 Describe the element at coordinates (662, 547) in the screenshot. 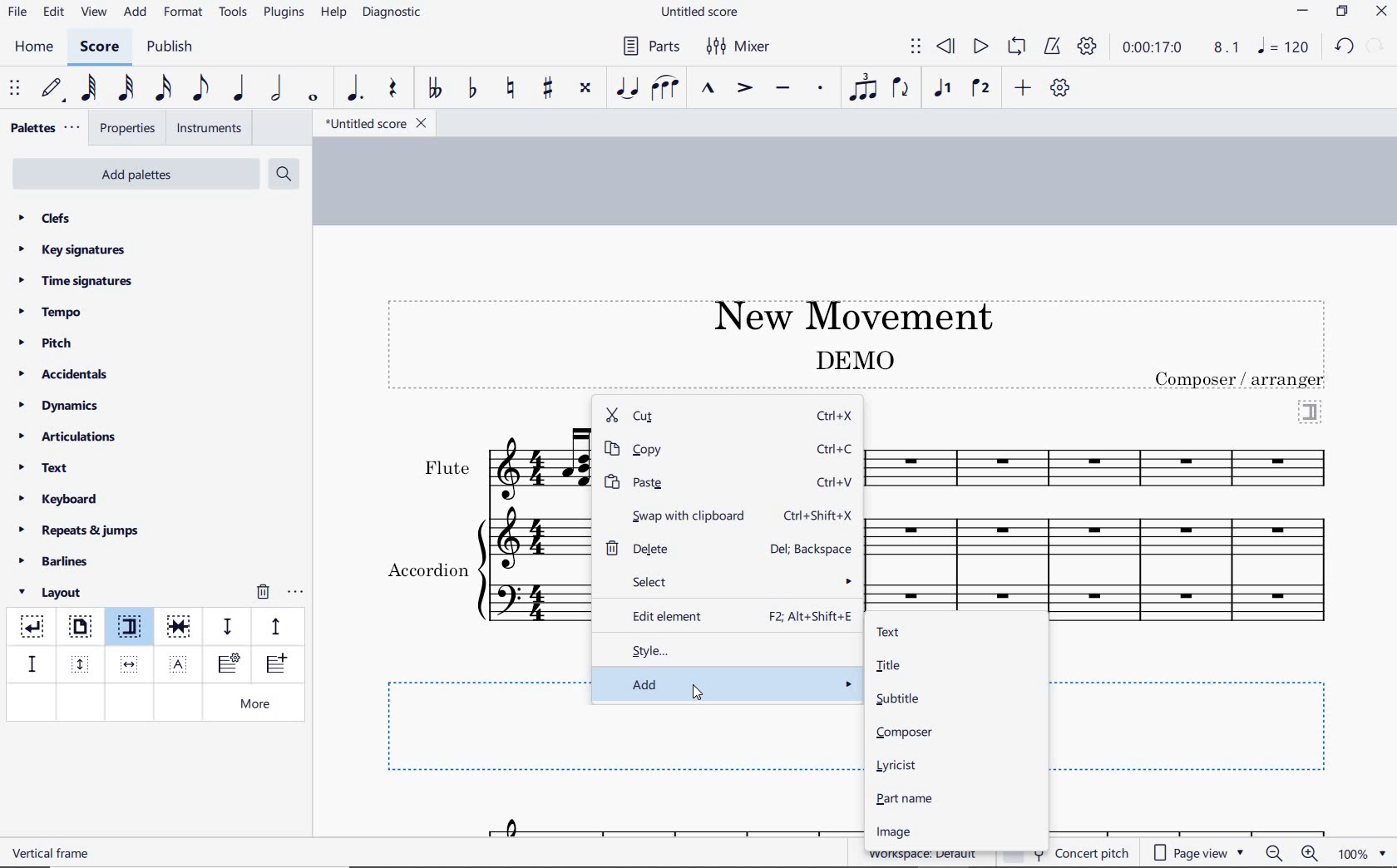

I see `delete` at that location.